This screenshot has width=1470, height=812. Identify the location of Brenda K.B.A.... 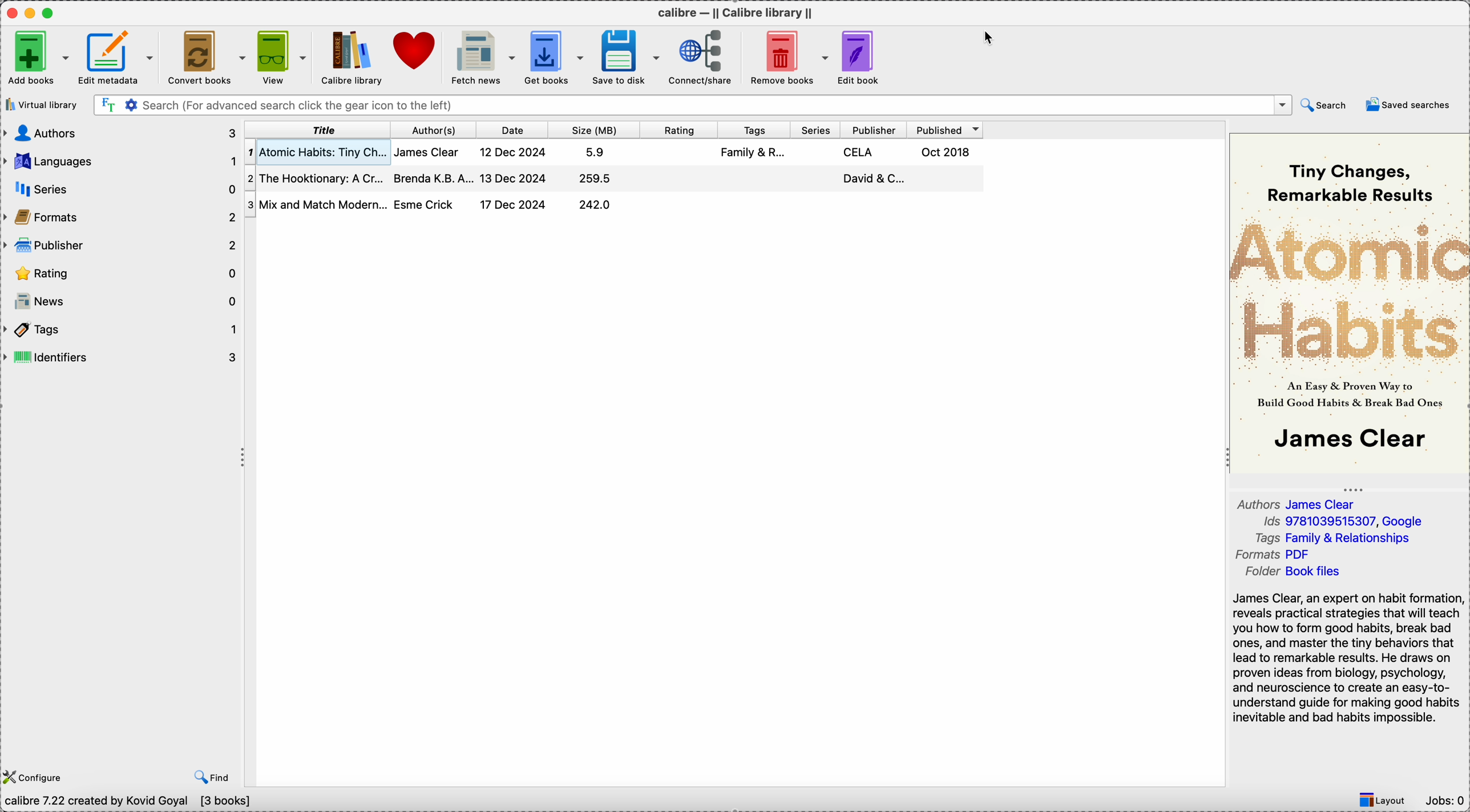
(431, 178).